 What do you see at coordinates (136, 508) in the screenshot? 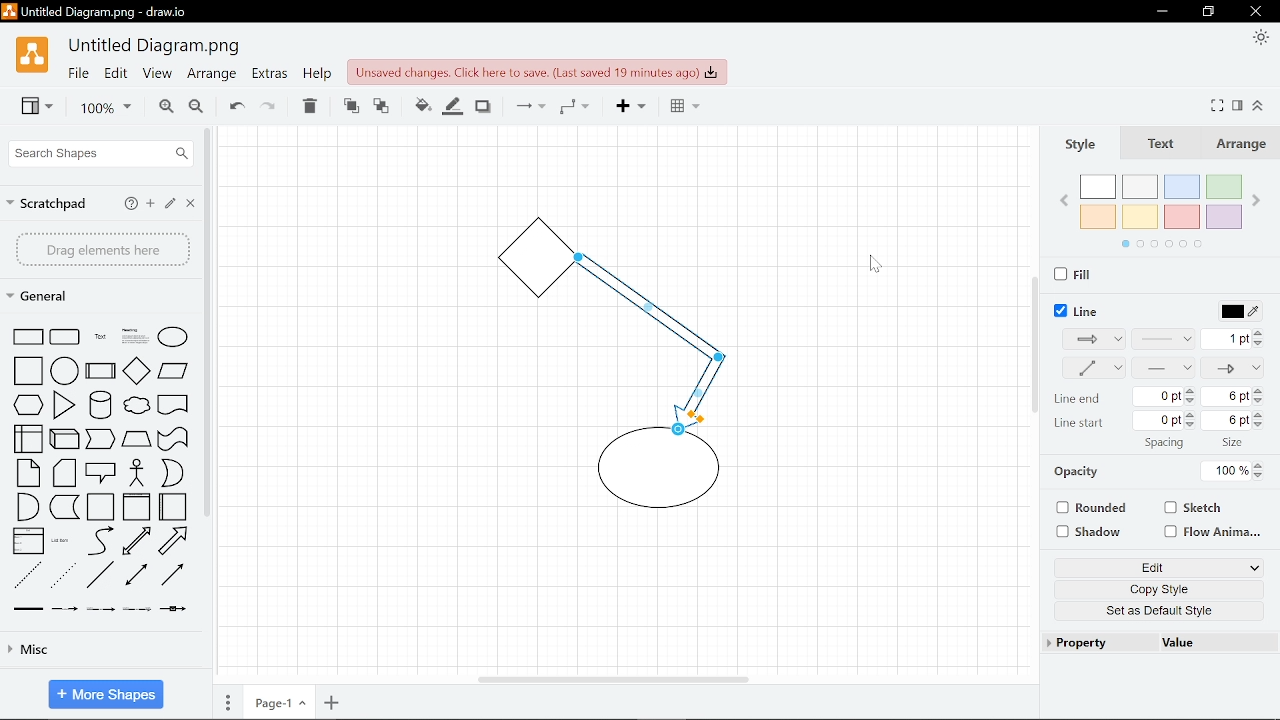
I see `shape` at bounding box center [136, 508].